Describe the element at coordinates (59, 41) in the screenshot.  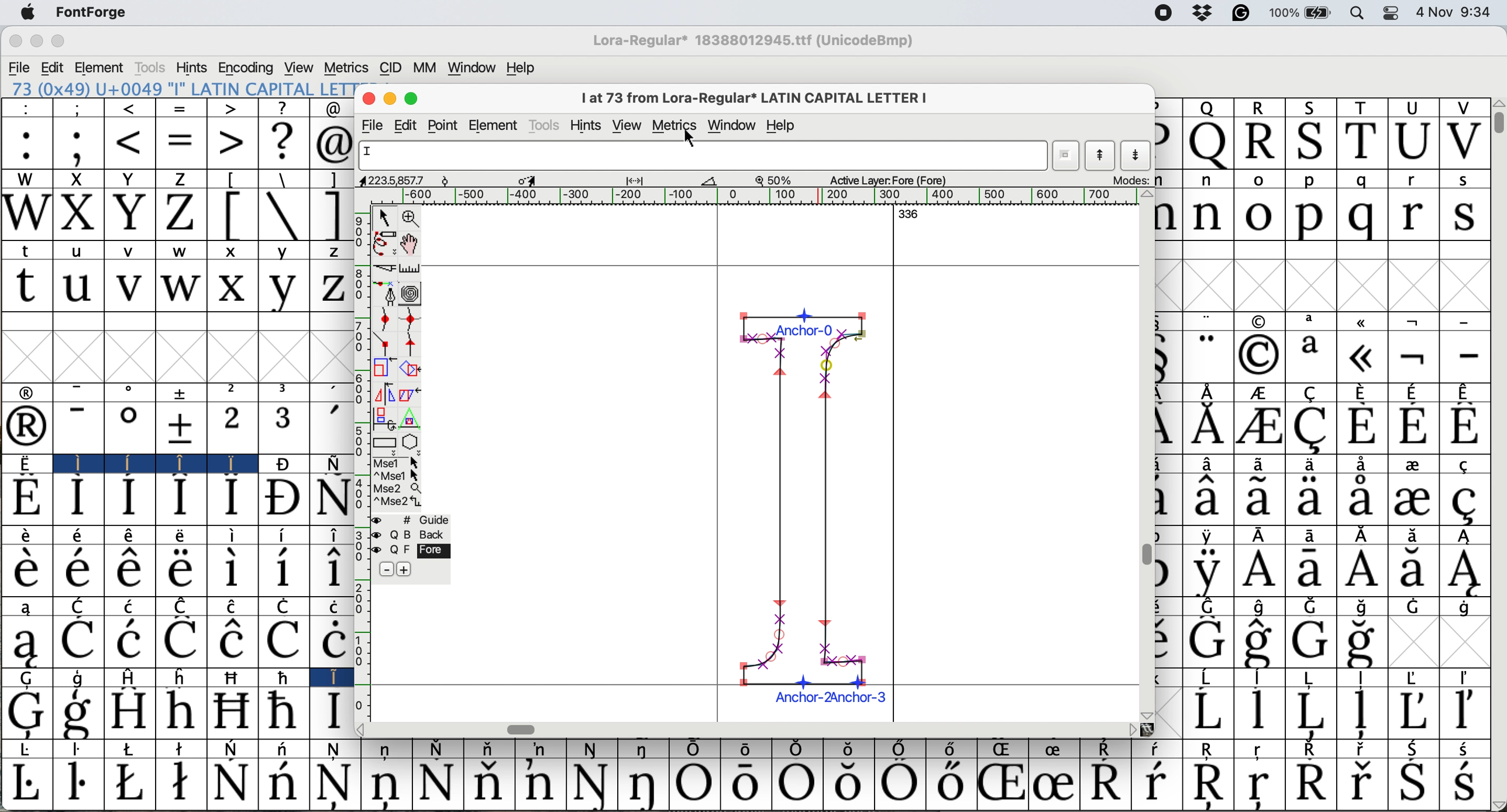
I see `maximize` at that location.